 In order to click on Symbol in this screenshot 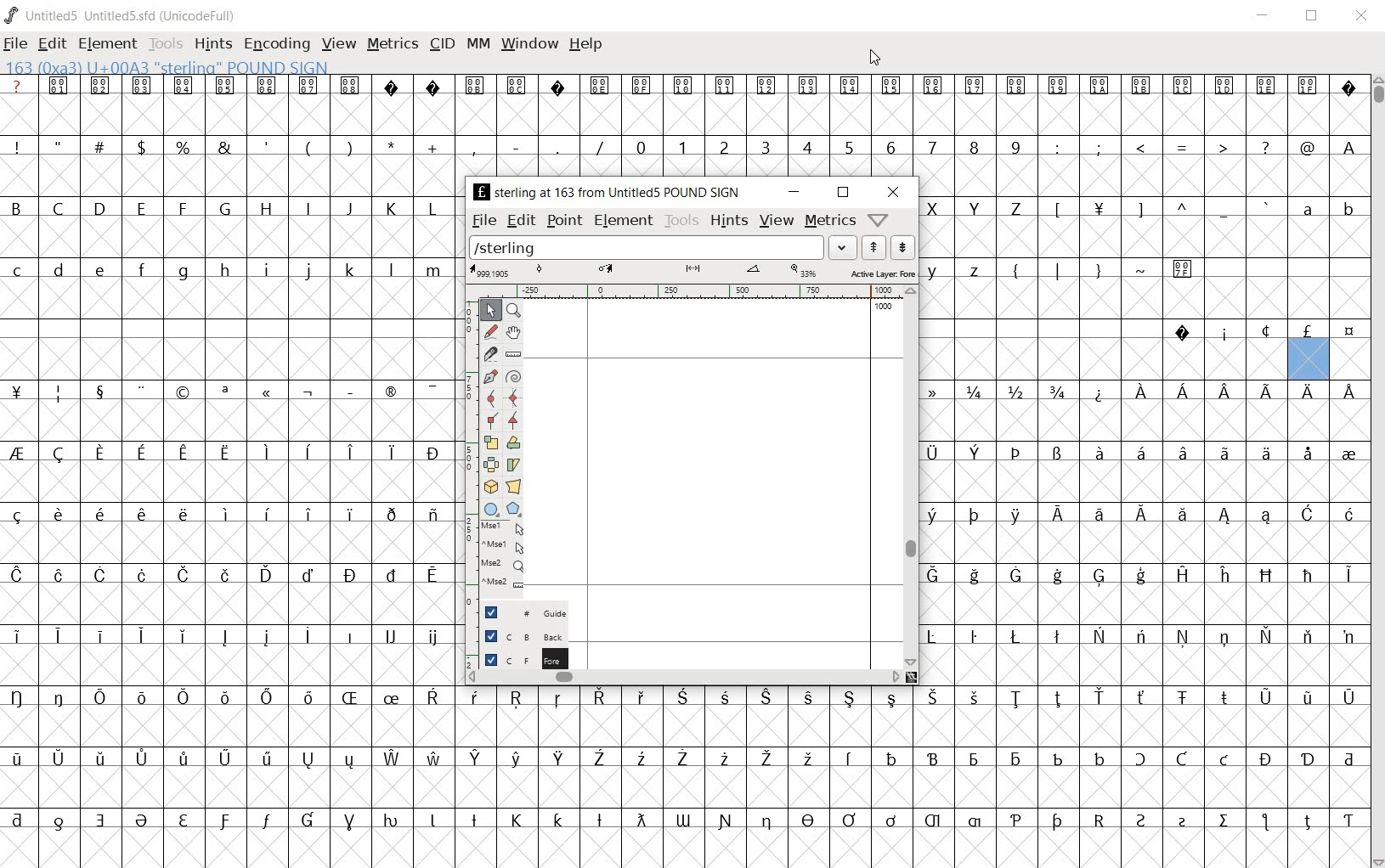, I will do `click(1308, 819)`.